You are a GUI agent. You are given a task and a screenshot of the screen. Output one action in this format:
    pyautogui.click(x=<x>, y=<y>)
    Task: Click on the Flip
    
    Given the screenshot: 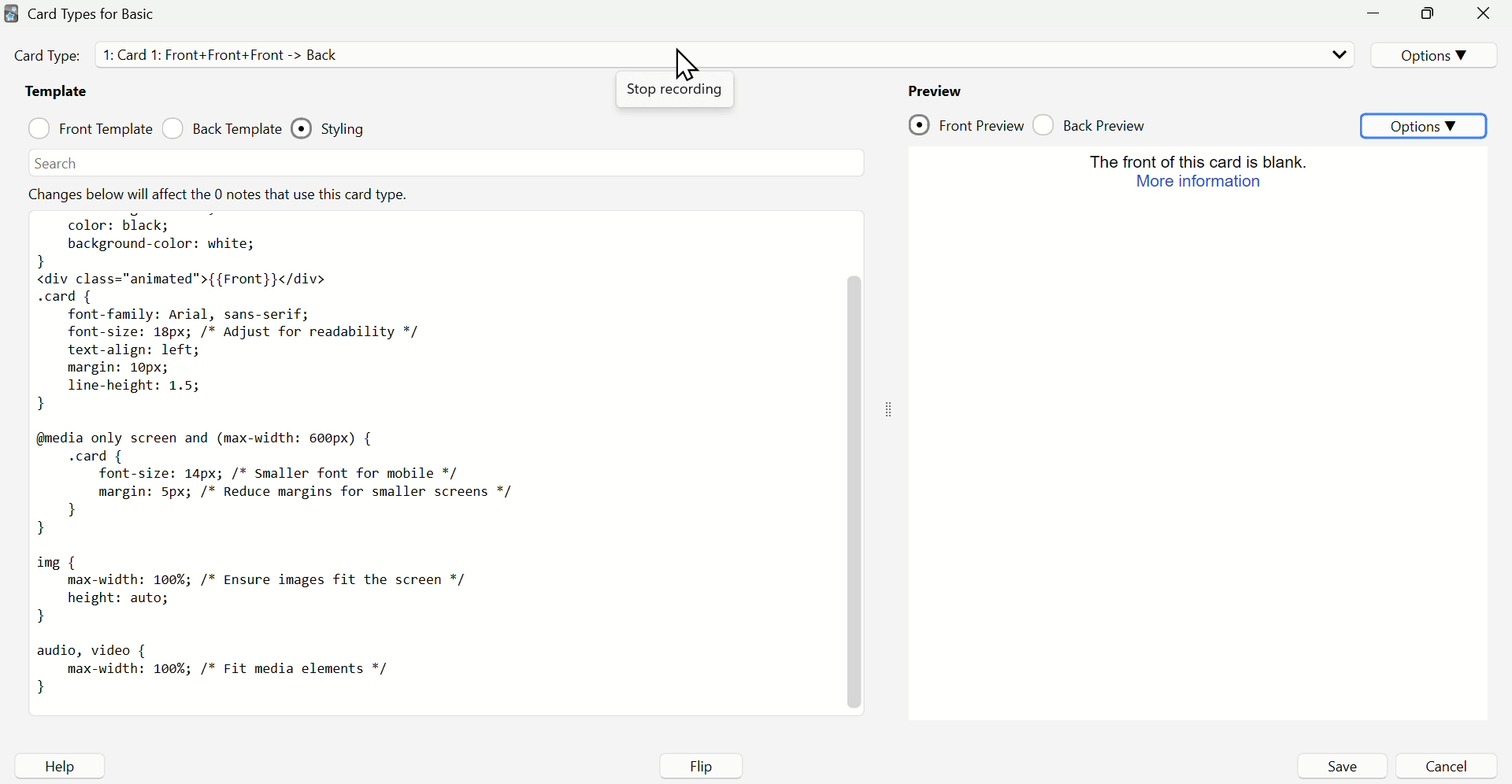 What is the action you would take?
    pyautogui.click(x=705, y=764)
    